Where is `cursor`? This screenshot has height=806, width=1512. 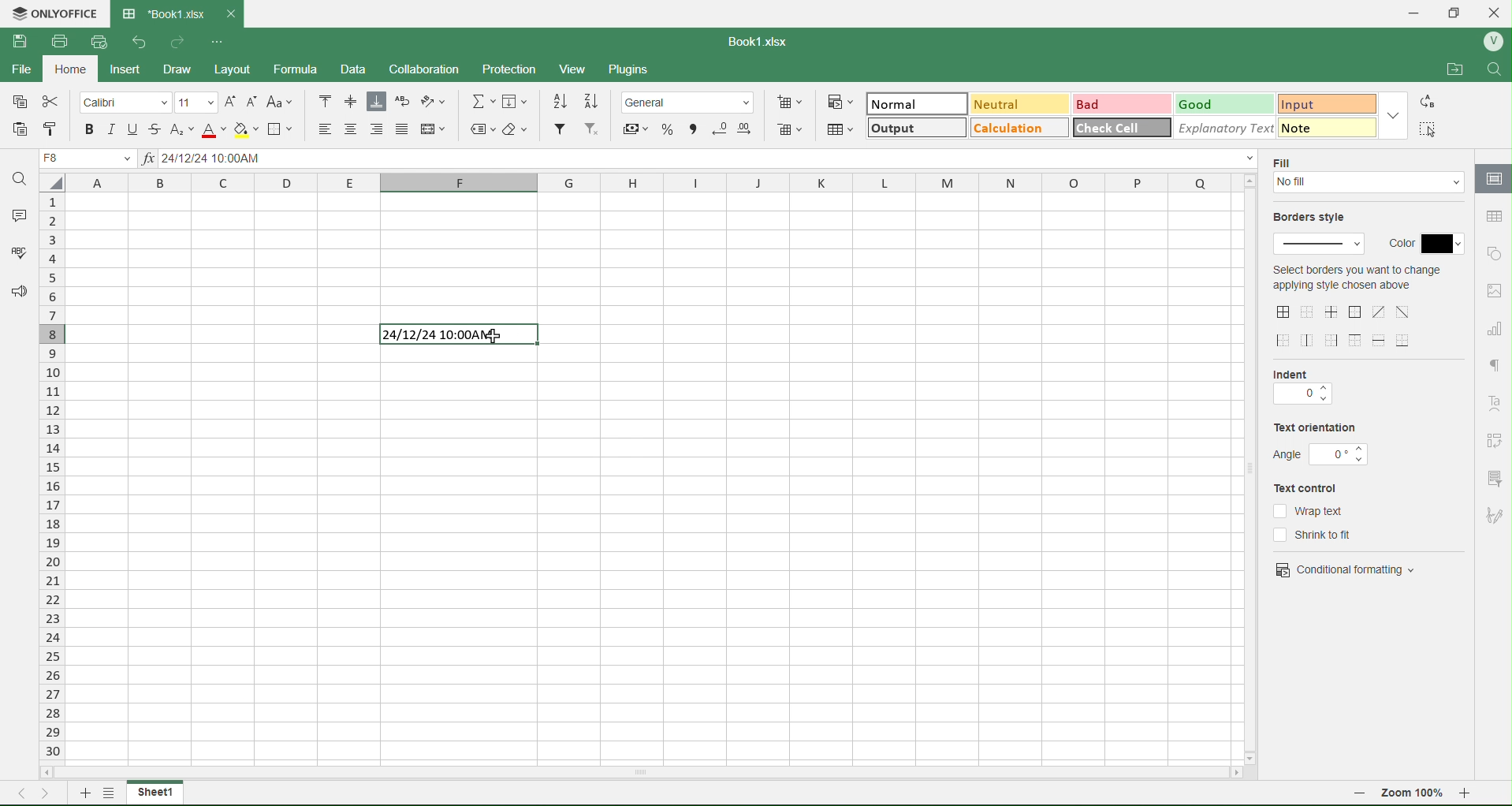
cursor is located at coordinates (494, 334).